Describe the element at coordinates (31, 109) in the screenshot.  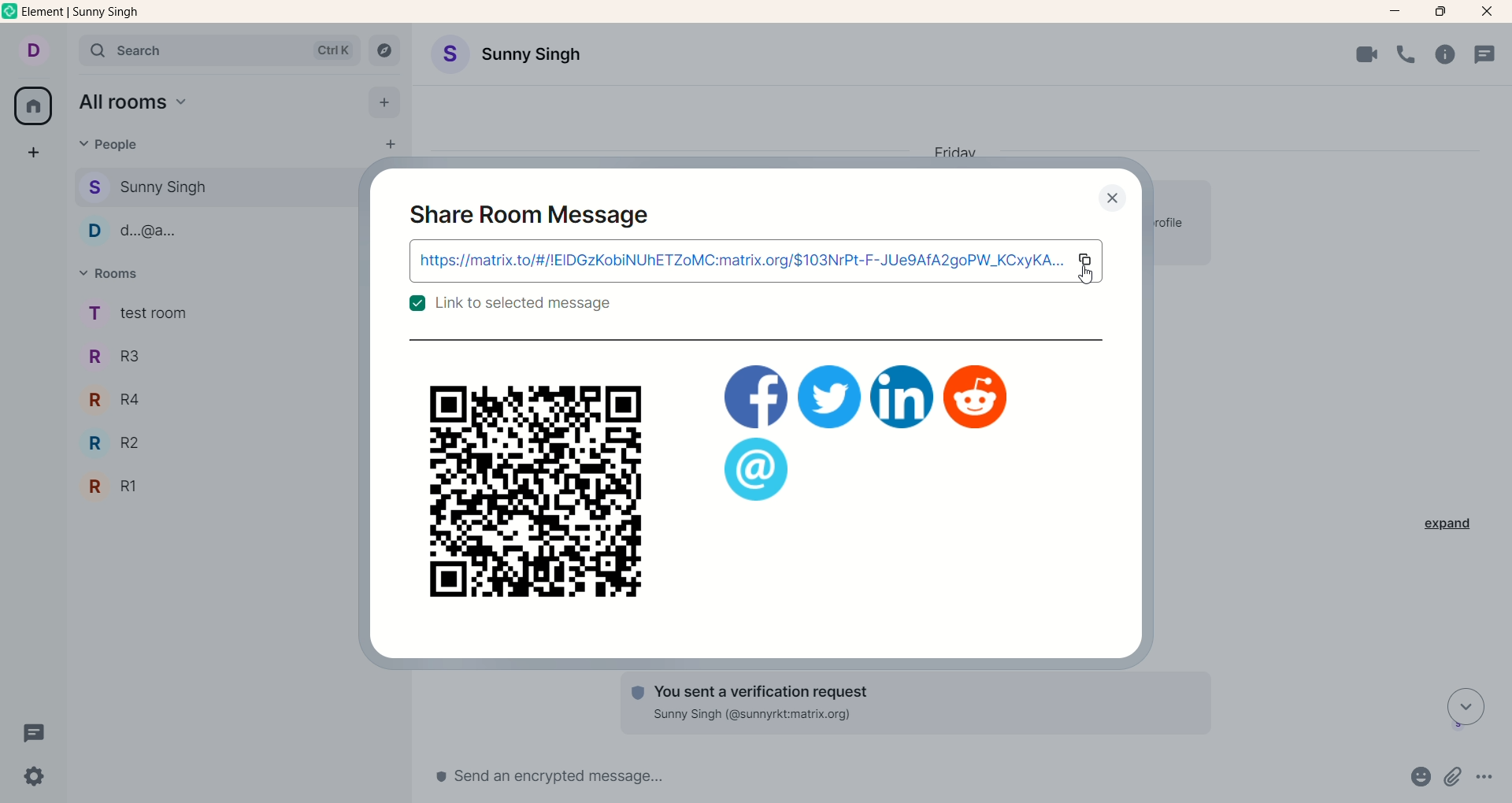
I see `all rooms` at that location.